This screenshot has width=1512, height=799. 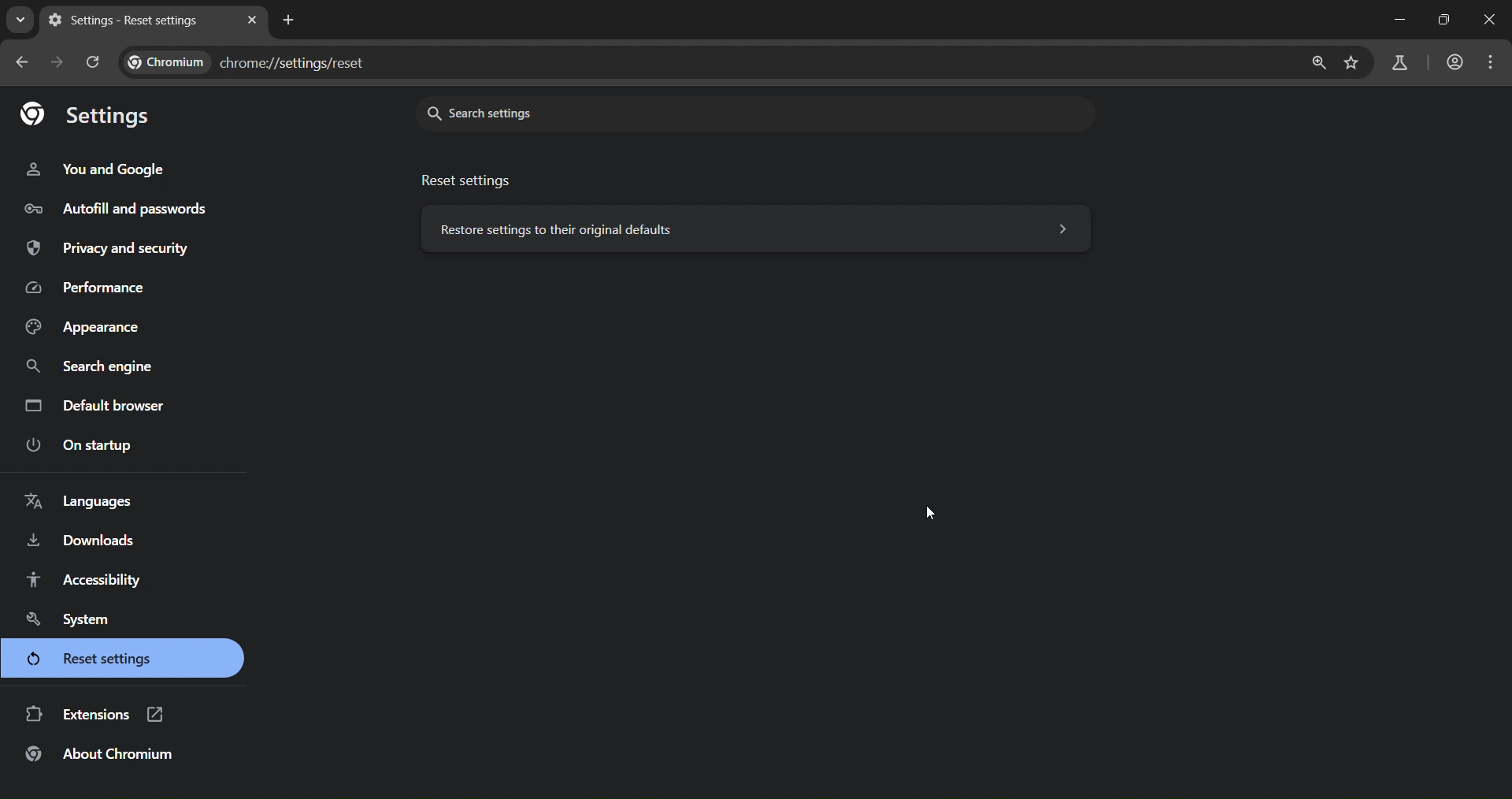 What do you see at coordinates (72, 619) in the screenshot?
I see `system` at bounding box center [72, 619].